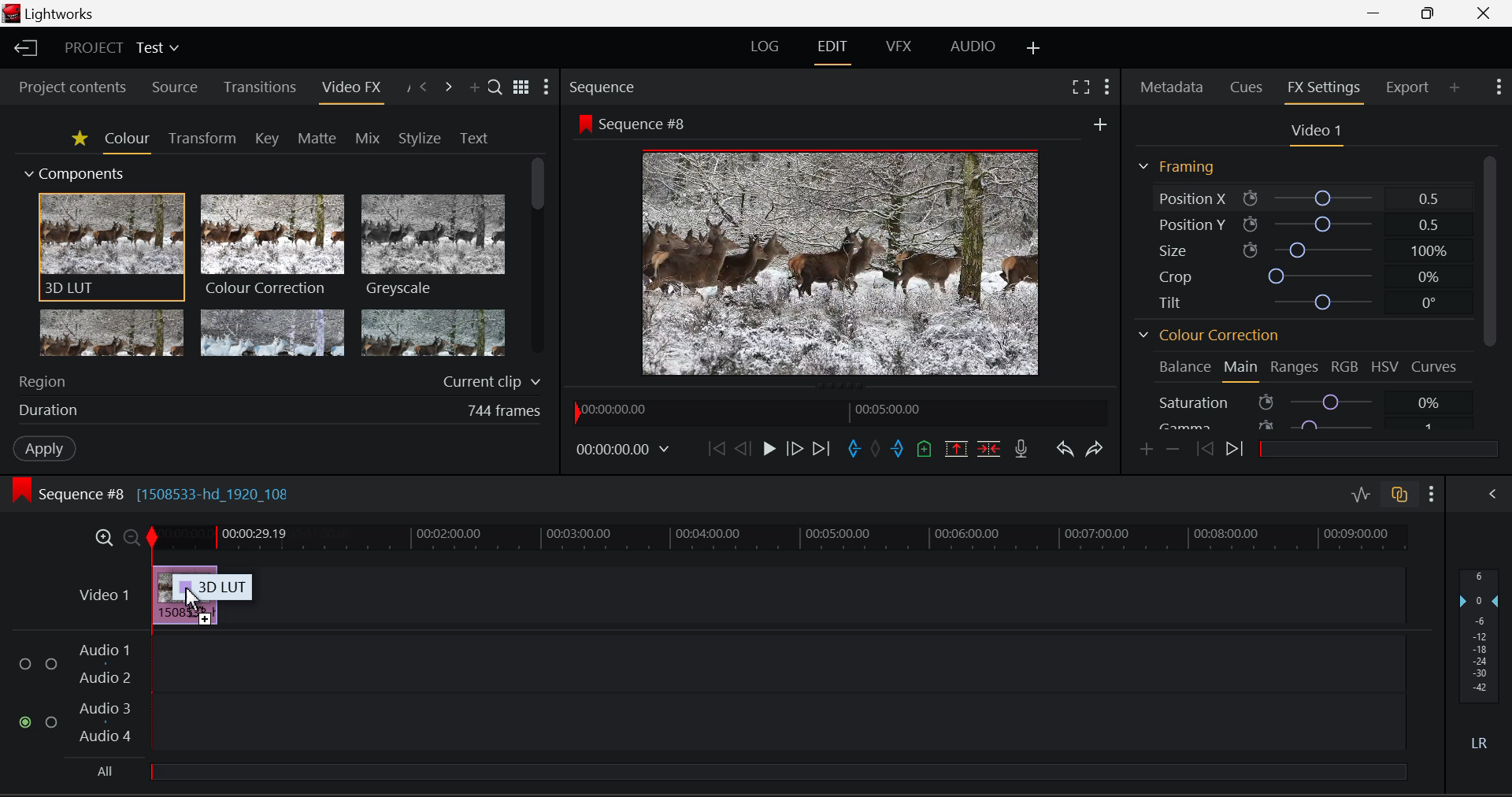  What do you see at coordinates (1455, 89) in the screenshot?
I see `Add Panel` at bounding box center [1455, 89].